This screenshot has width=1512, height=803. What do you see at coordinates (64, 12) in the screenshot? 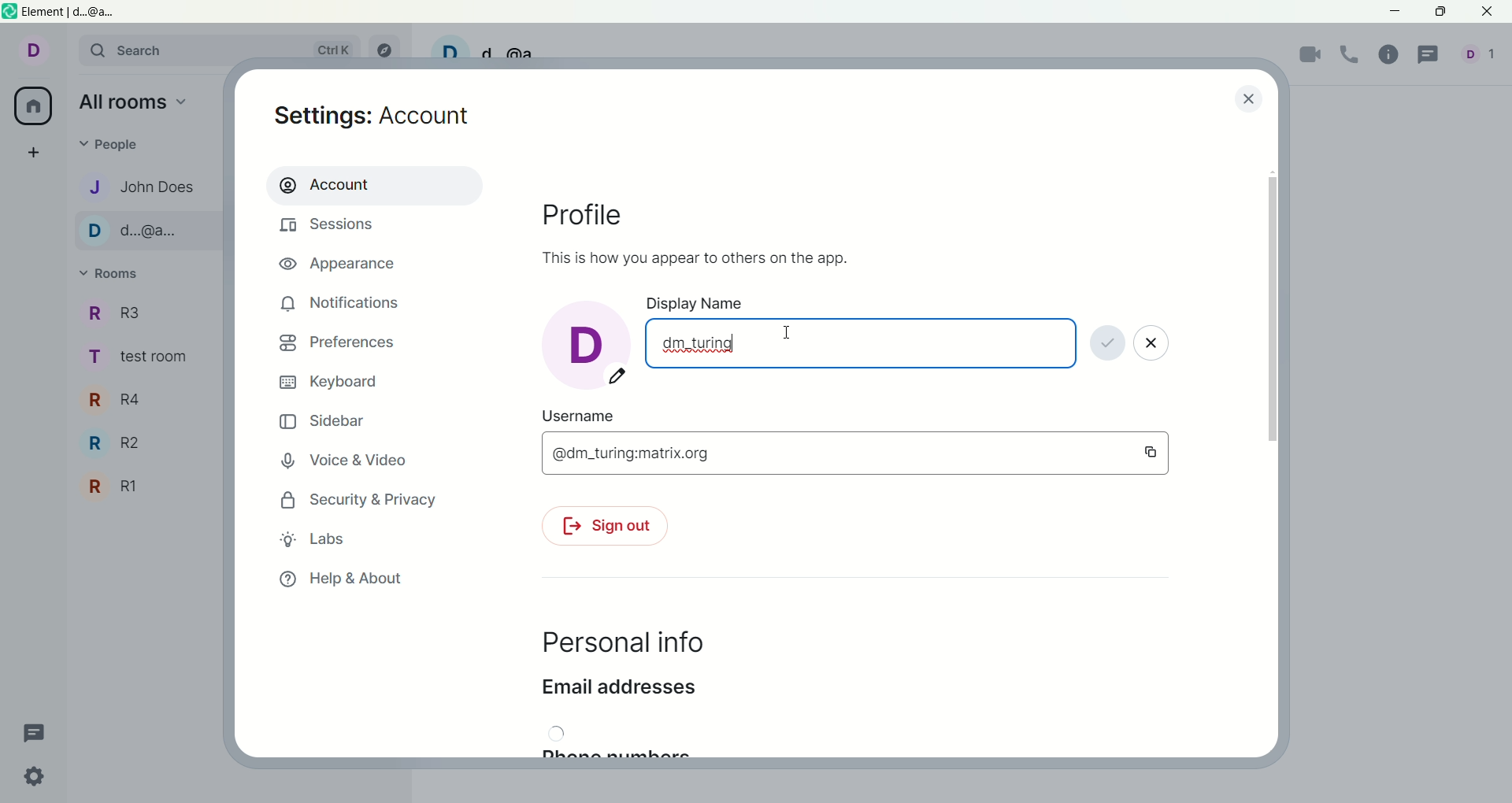
I see `element|d..@a..` at bounding box center [64, 12].